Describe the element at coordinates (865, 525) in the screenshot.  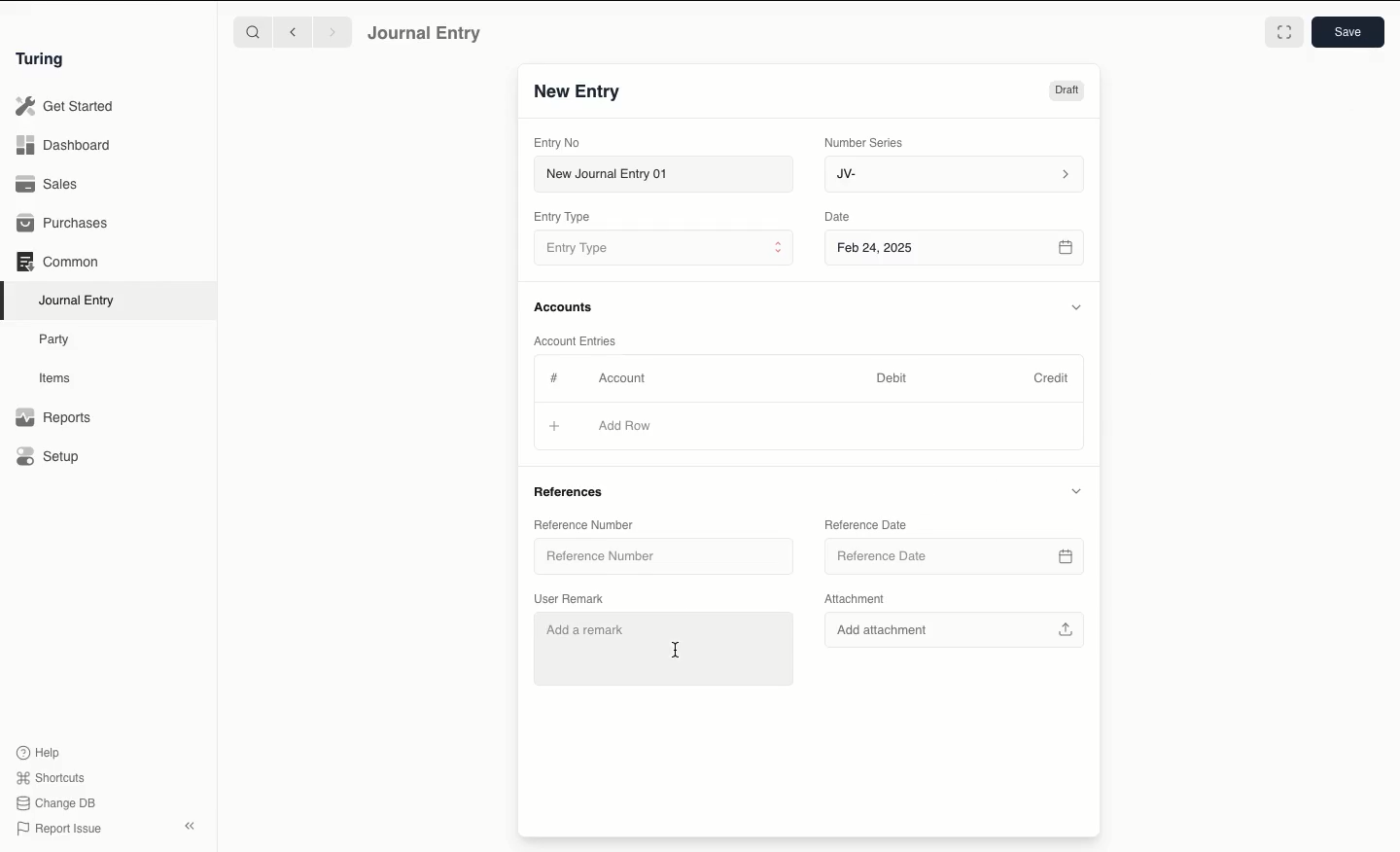
I see `Reference Date` at that location.